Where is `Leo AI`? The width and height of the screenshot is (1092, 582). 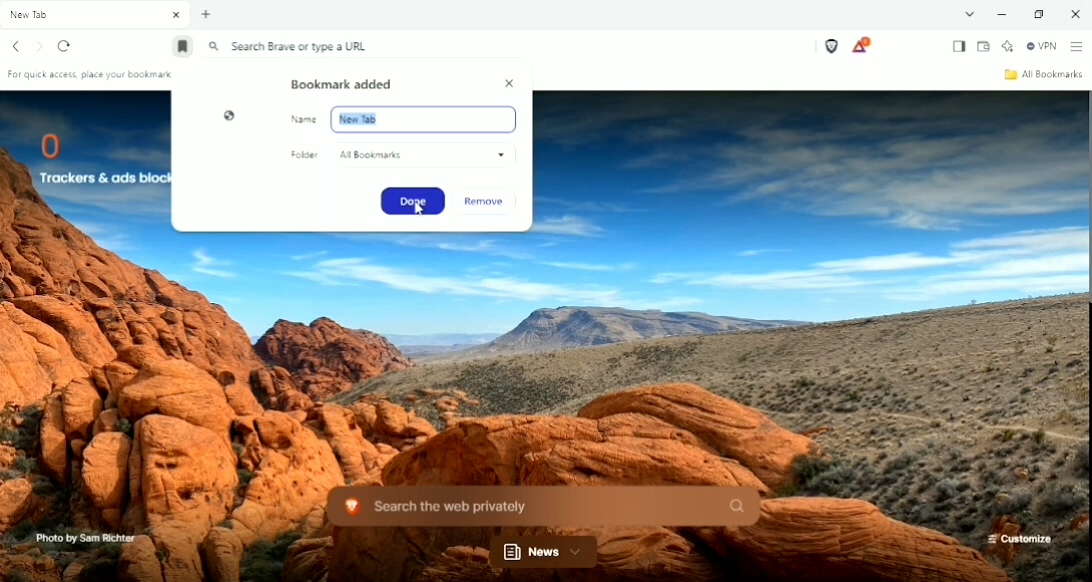
Leo AI is located at coordinates (1008, 45).